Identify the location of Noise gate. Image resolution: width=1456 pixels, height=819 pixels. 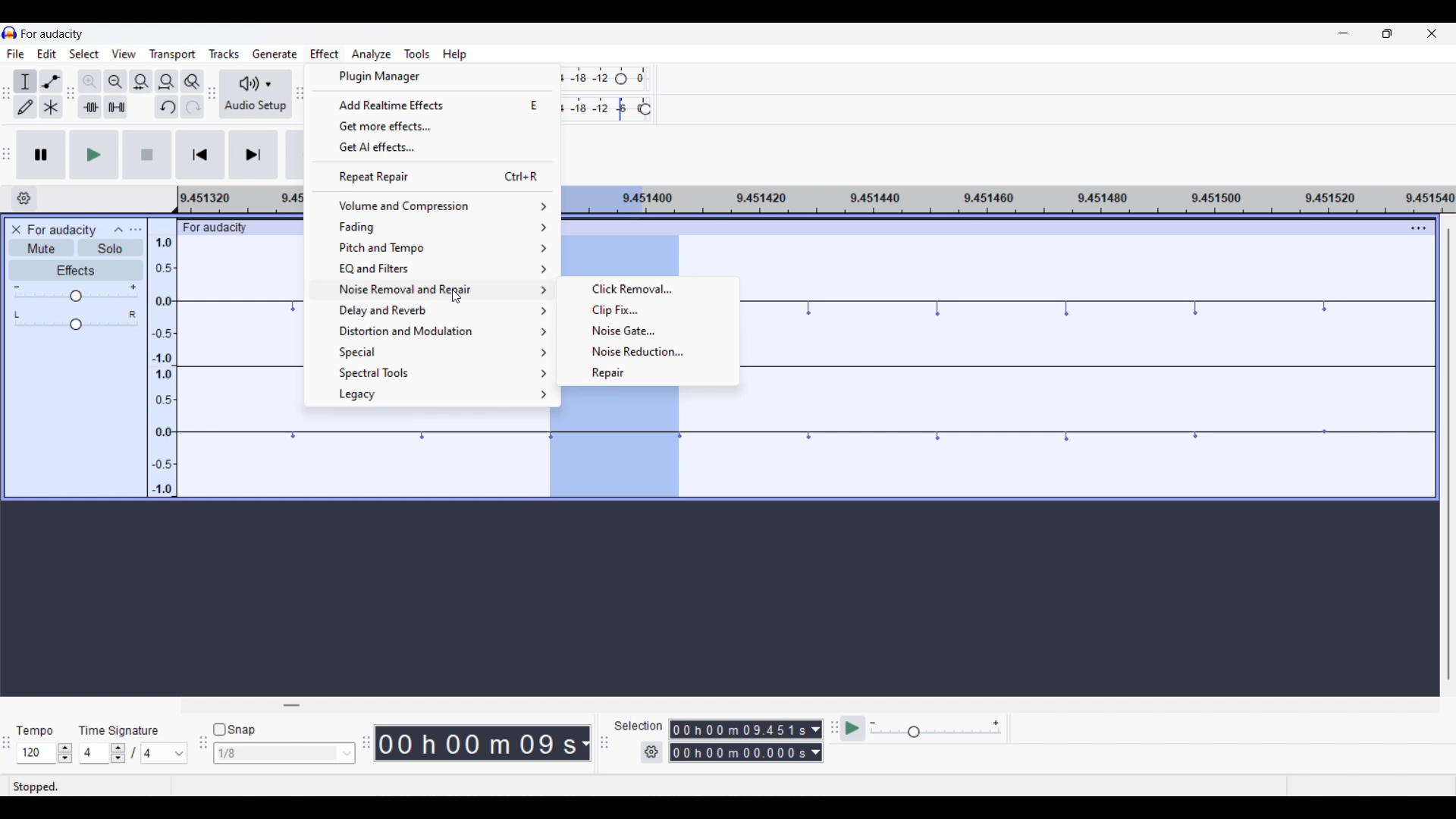
(646, 331).